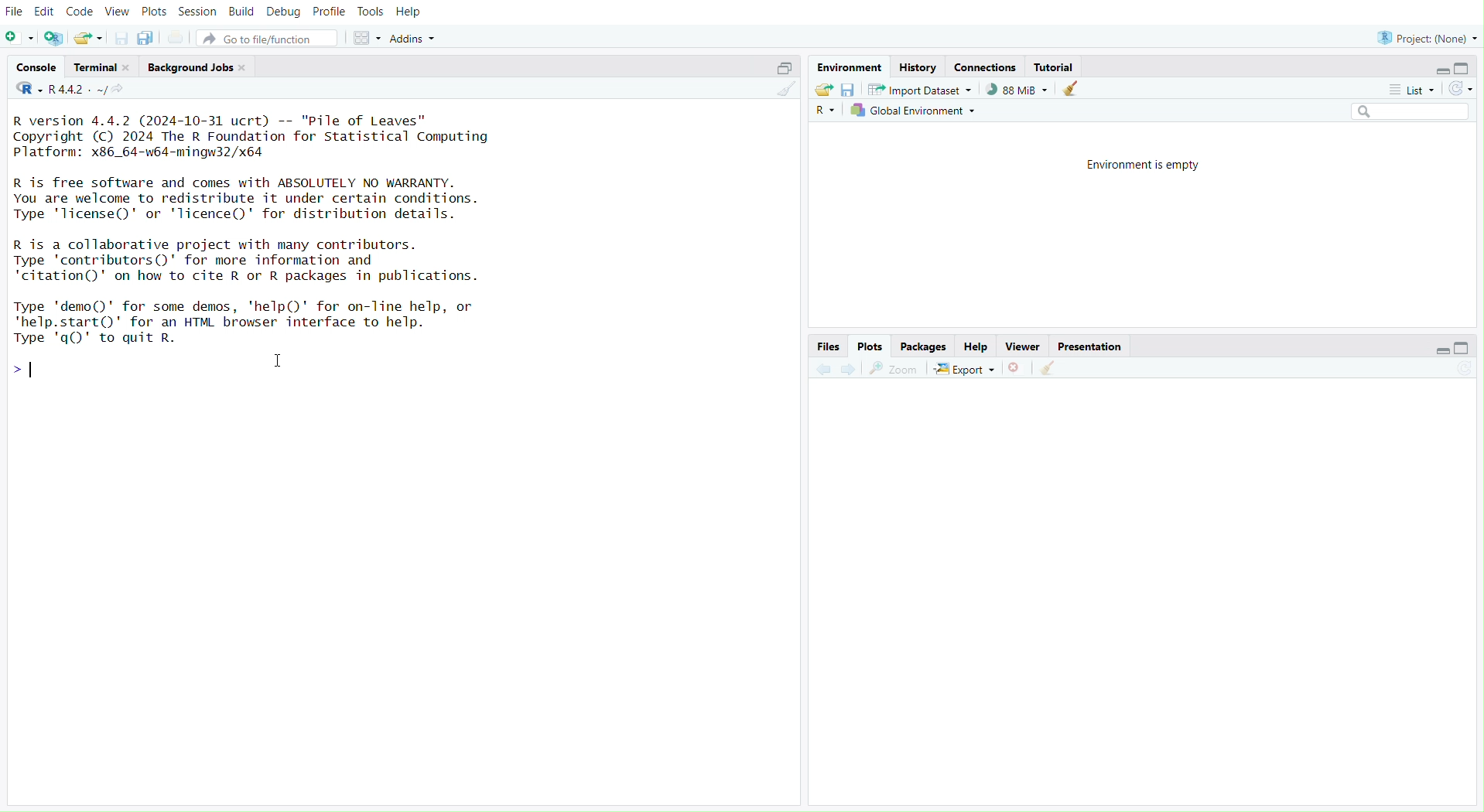 This screenshot has height=812, width=1484. I want to click on Clear console (Ctrl +L), so click(1075, 88).